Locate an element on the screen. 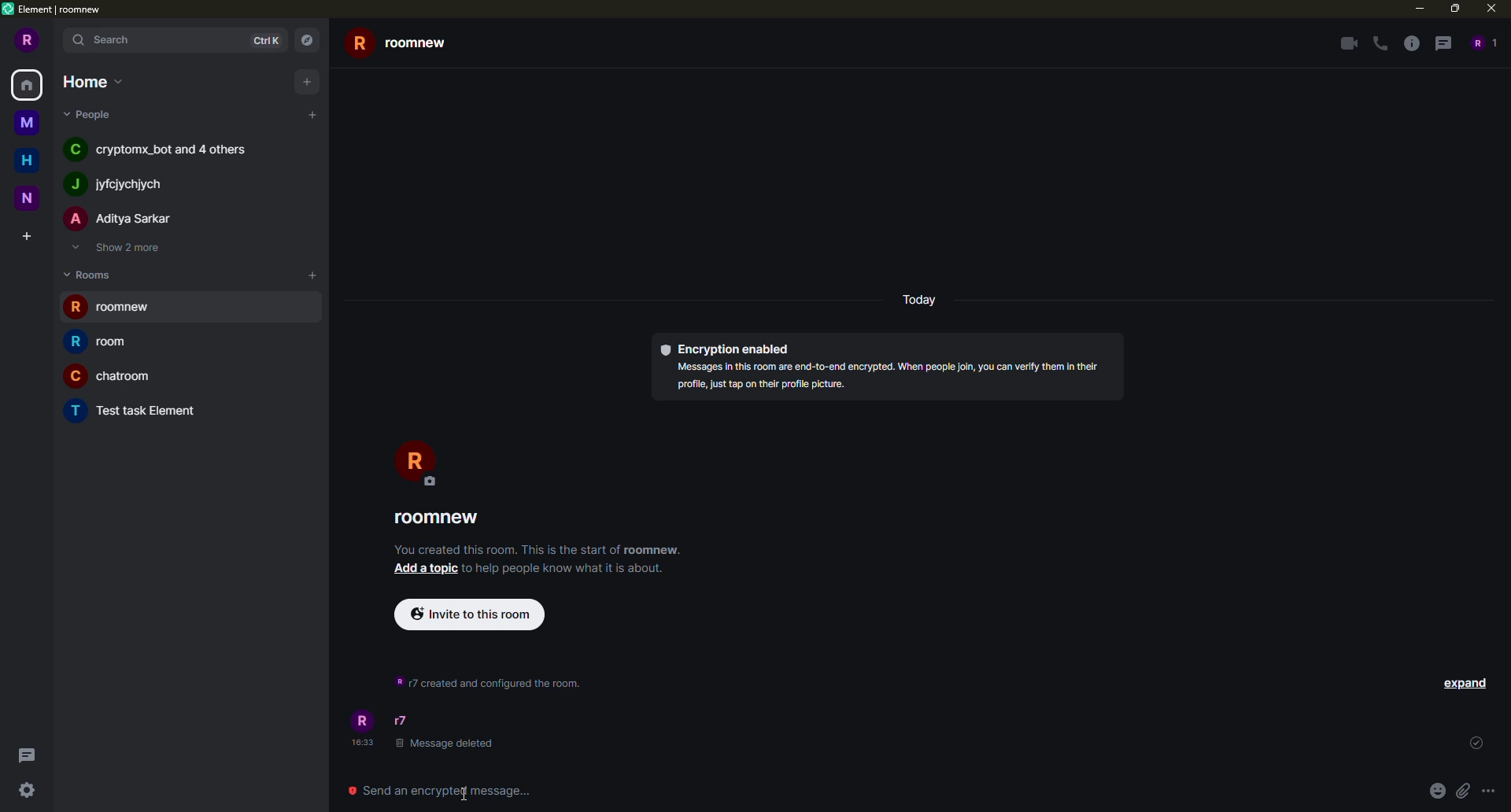 The image size is (1511, 812). info is located at coordinates (564, 568).